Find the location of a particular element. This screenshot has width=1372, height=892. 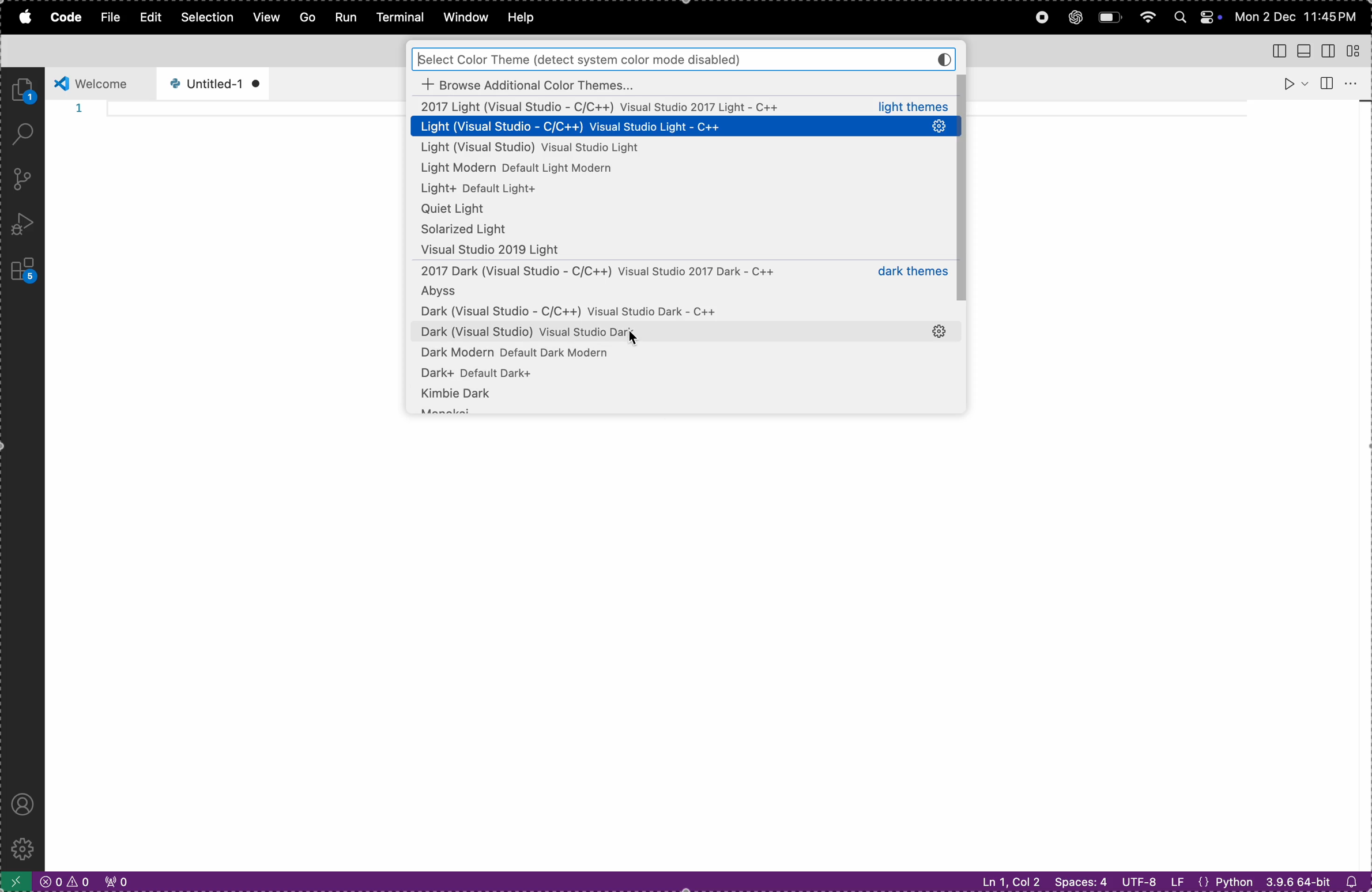

waiting for second key chord is located at coordinates (278, 881).